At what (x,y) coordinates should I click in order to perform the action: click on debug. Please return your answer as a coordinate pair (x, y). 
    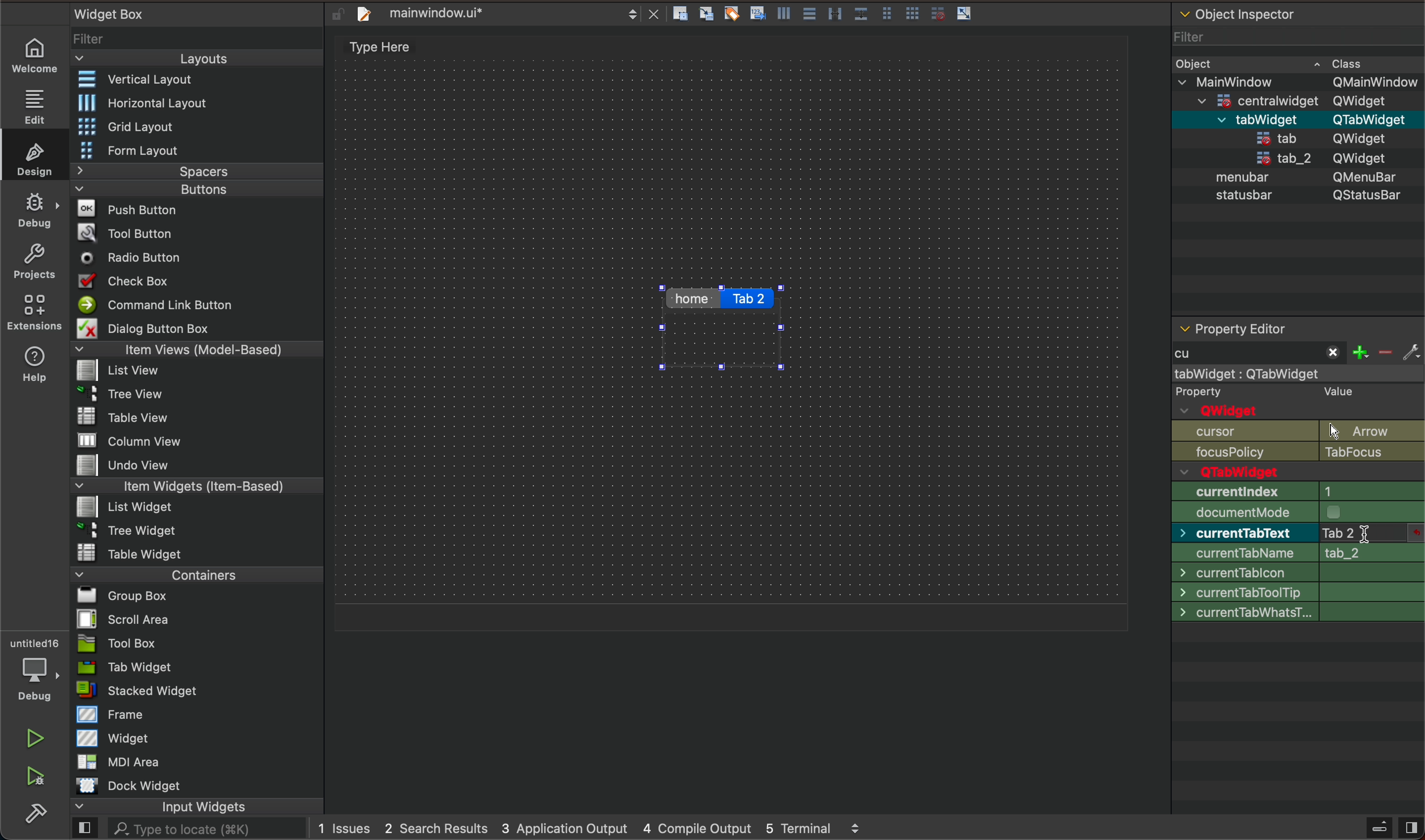
    Looking at the image, I should click on (35, 209).